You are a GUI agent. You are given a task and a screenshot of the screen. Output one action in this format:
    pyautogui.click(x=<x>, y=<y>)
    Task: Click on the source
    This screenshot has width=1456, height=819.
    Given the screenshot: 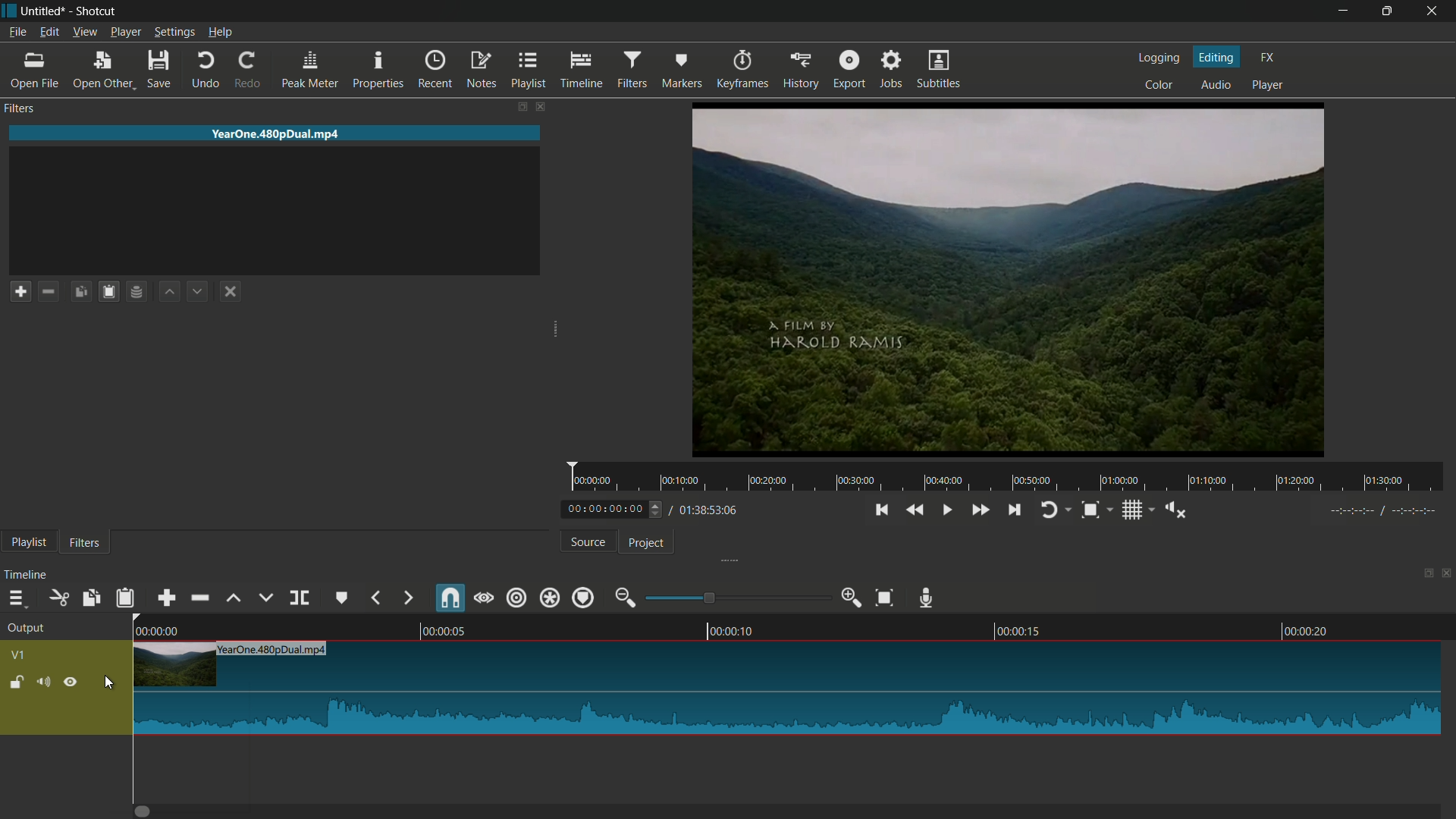 What is the action you would take?
    pyautogui.click(x=588, y=542)
    